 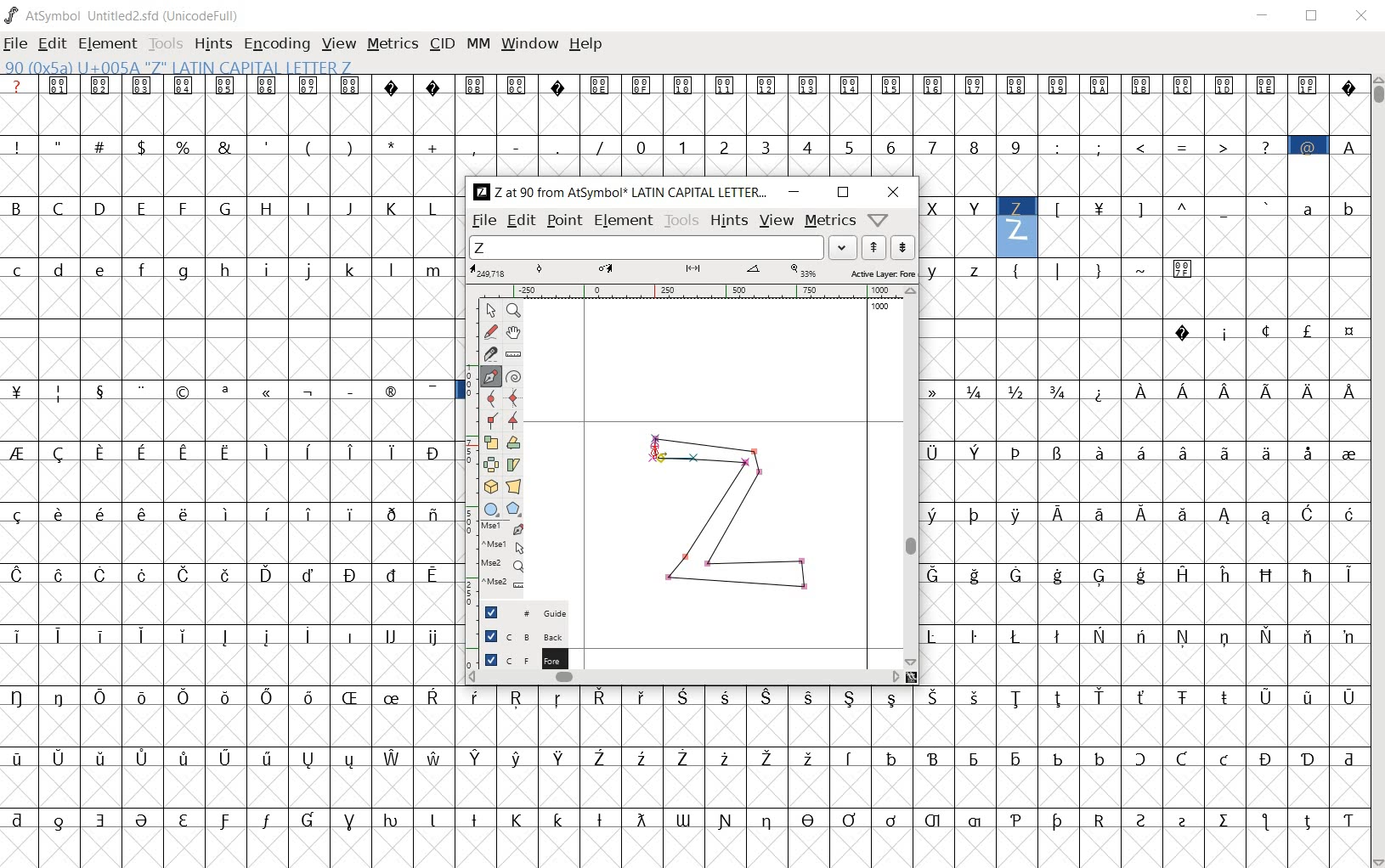 I want to click on polygon or star, so click(x=514, y=510).